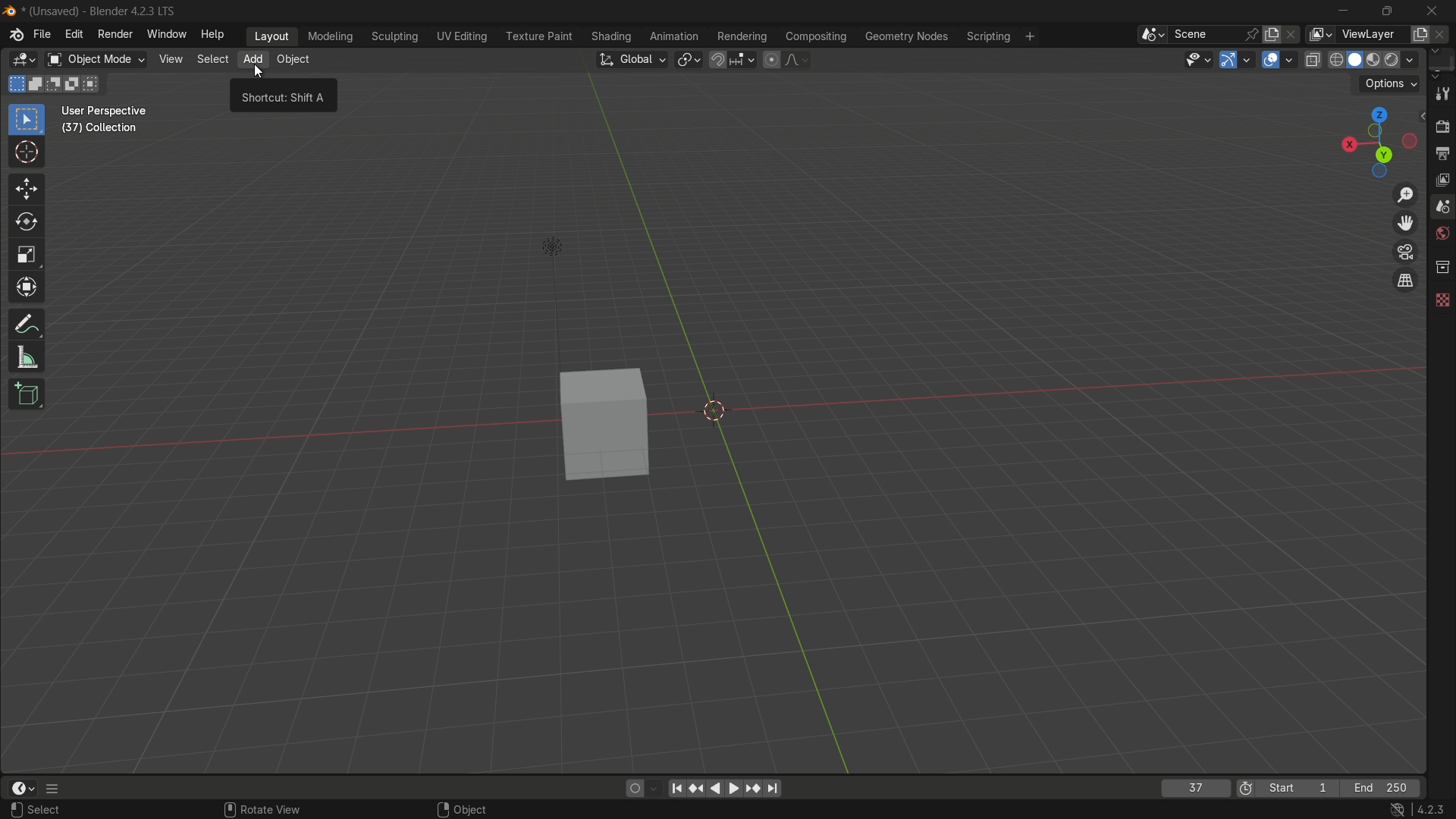  What do you see at coordinates (1405, 58) in the screenshot?
I see `render` at bounding box center [1405, 58].